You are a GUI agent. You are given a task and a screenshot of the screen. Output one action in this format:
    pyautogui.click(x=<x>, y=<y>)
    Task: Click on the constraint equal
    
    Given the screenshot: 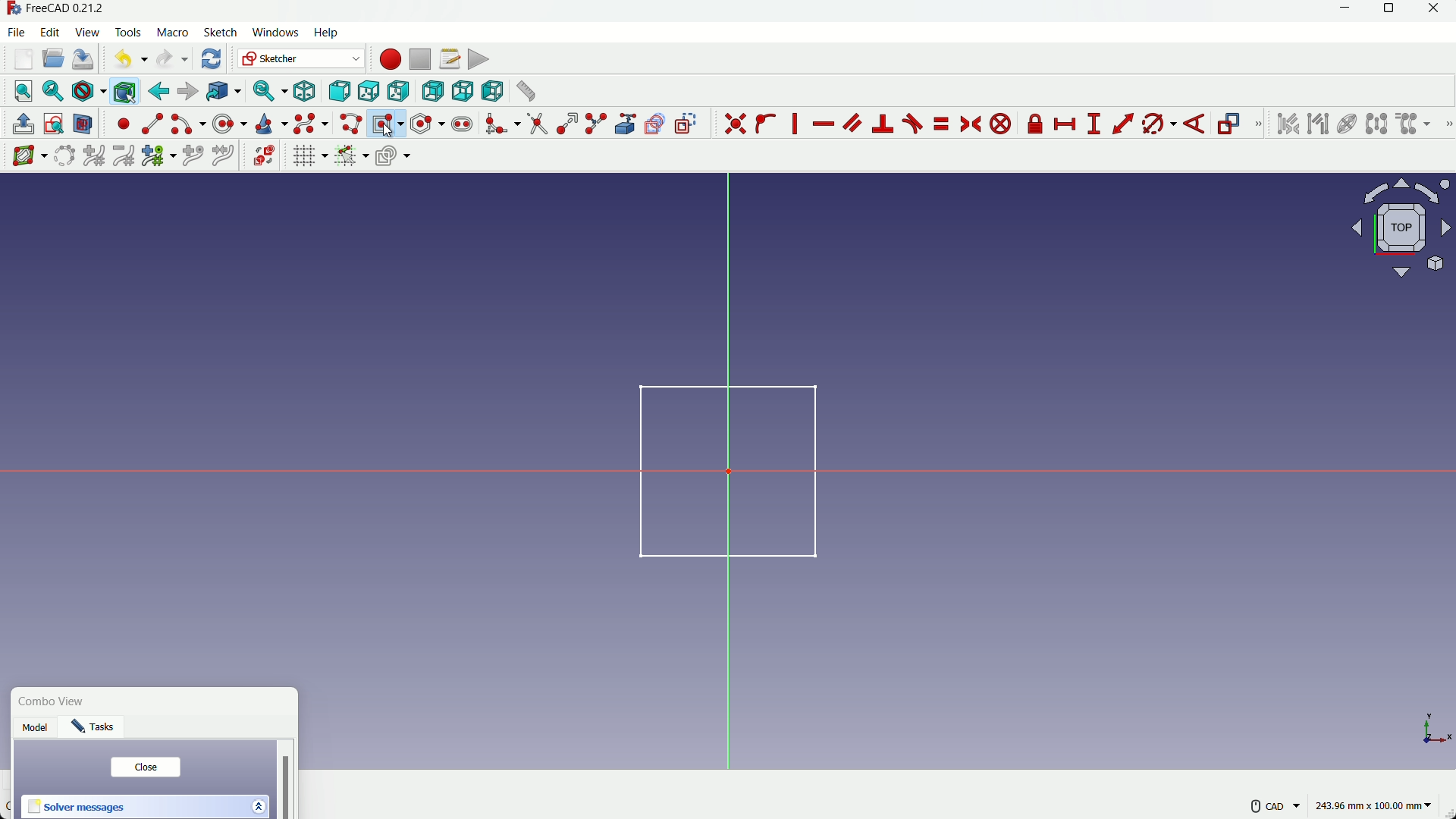 What is the action you would take?
    pyautogui.click(x=940, y=124)
    